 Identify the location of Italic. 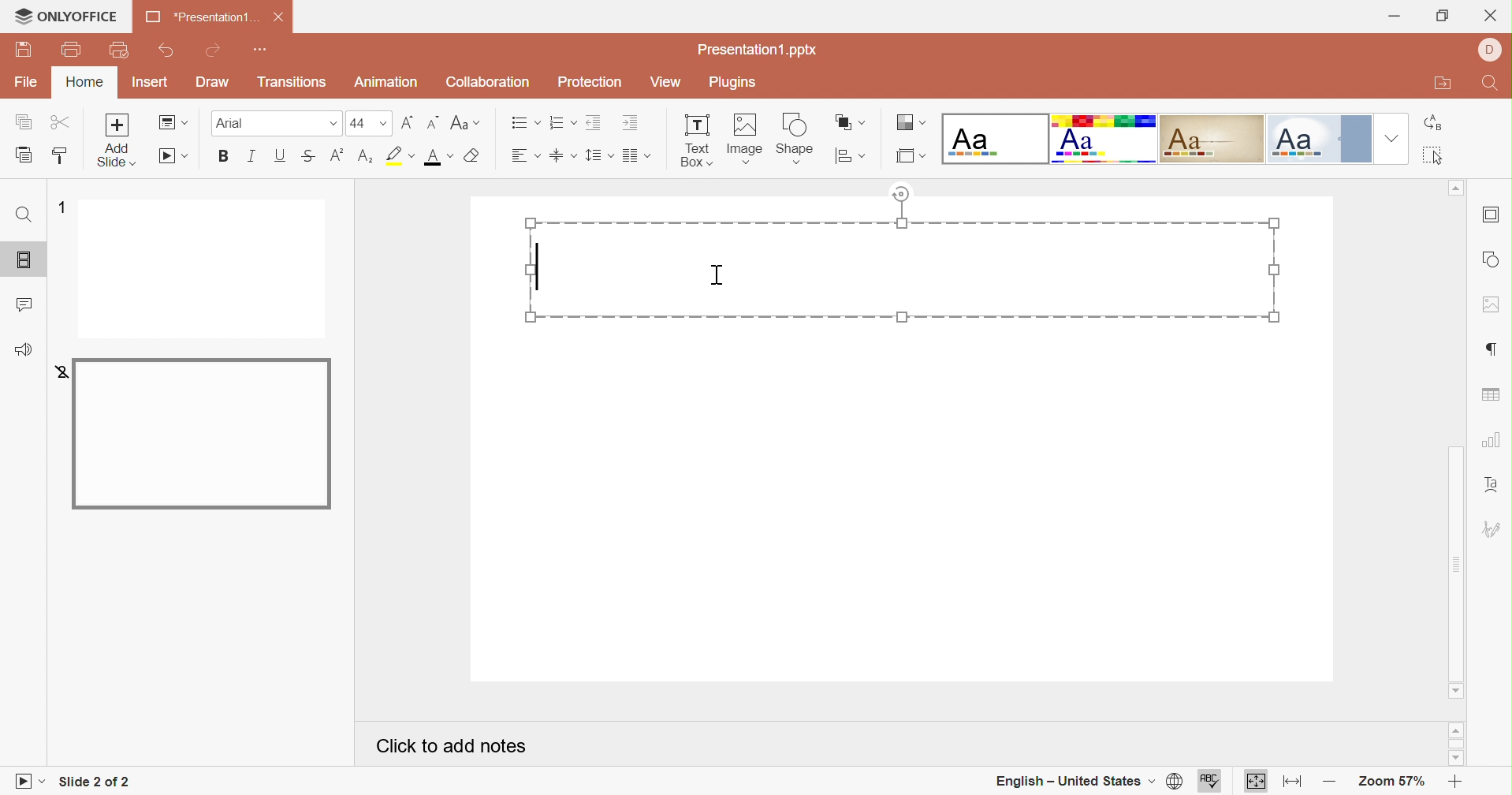
(255, 156).